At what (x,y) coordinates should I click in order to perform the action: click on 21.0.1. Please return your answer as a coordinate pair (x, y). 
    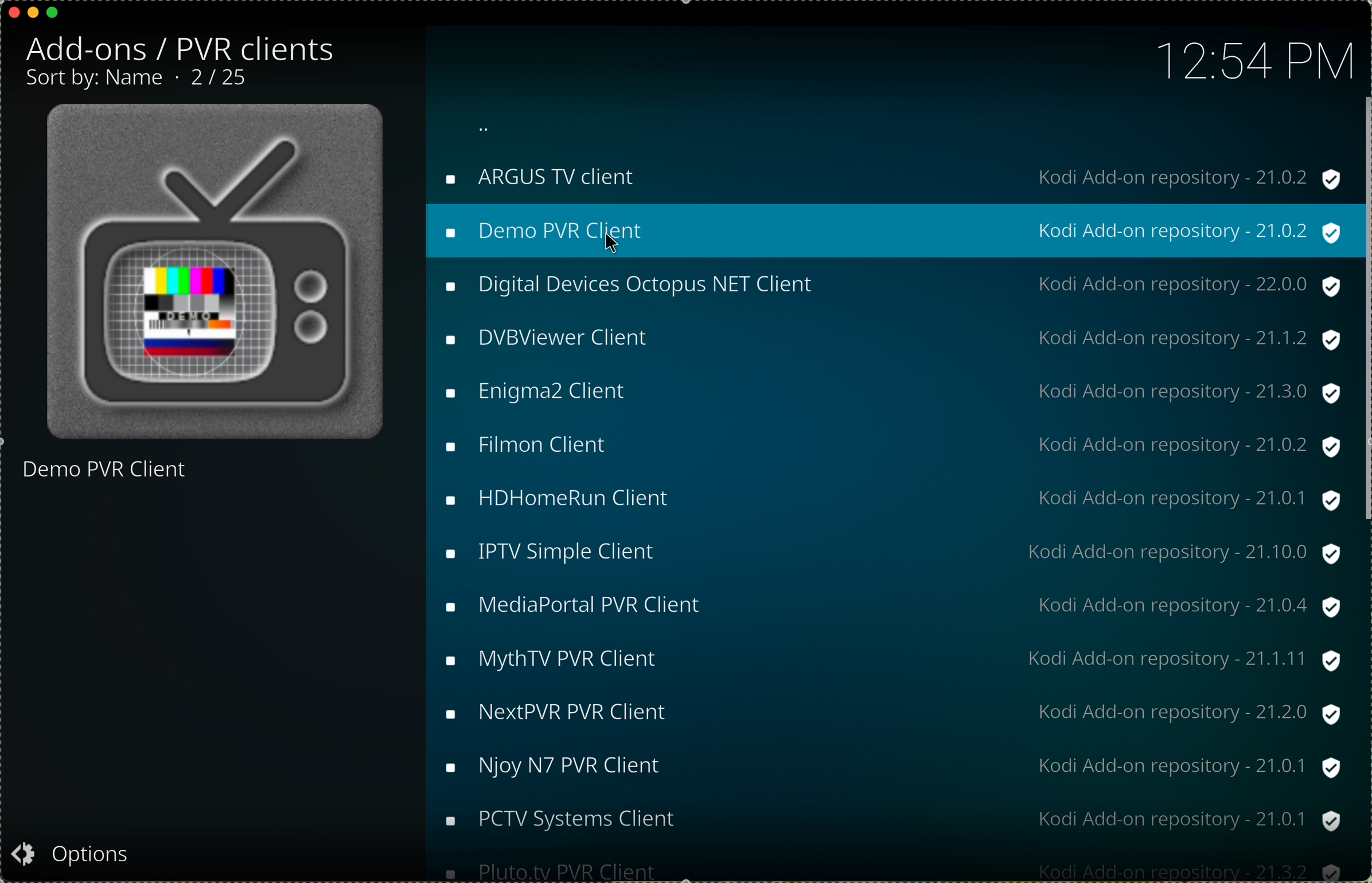
    Looking at the image, I should click on (1279, 769).